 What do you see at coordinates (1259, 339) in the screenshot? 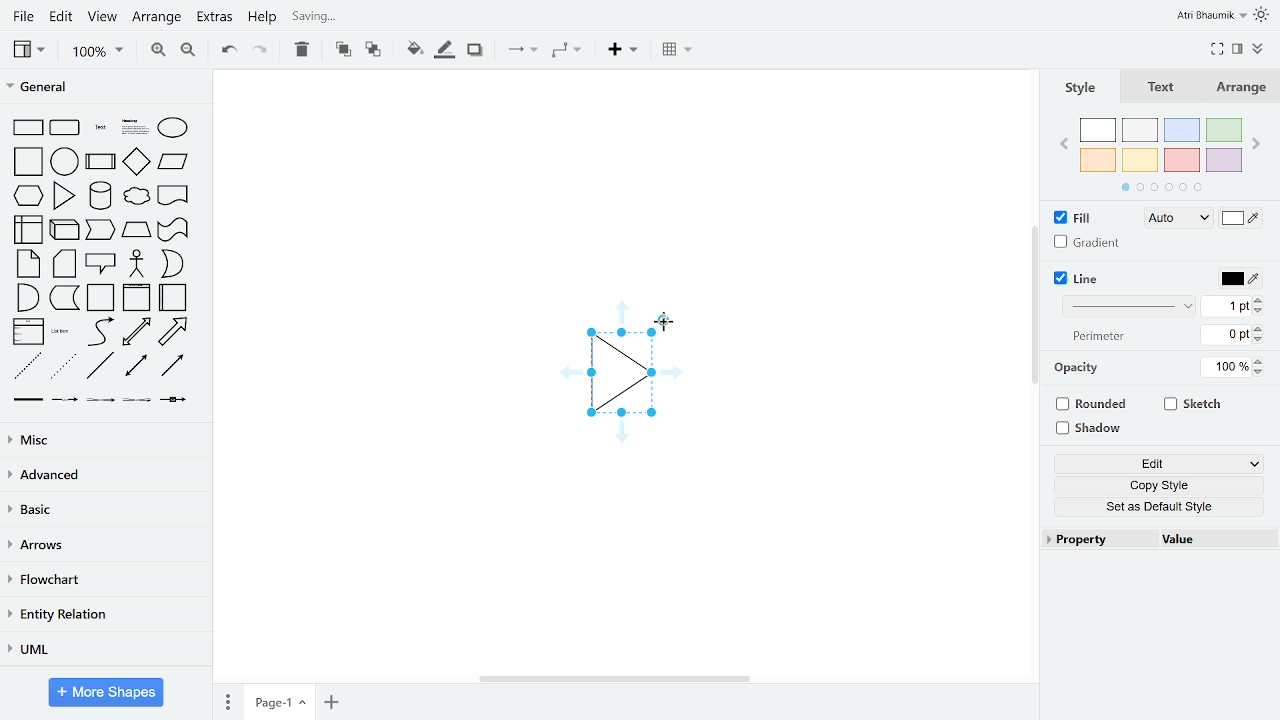
I see `decrease perimeter` at bounding box center [1259, 339].